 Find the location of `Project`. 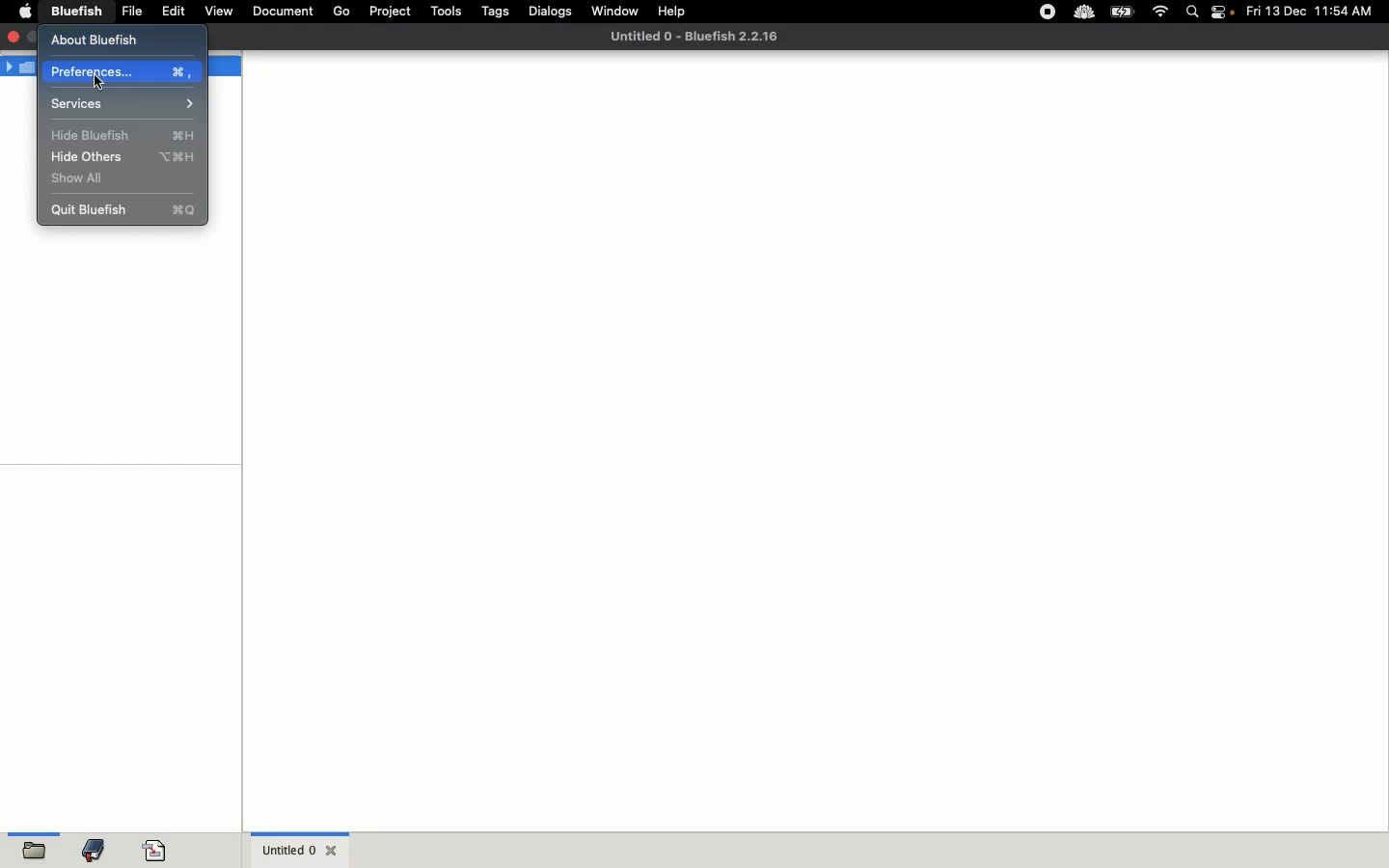

Project is located at coordinates (389, 12).